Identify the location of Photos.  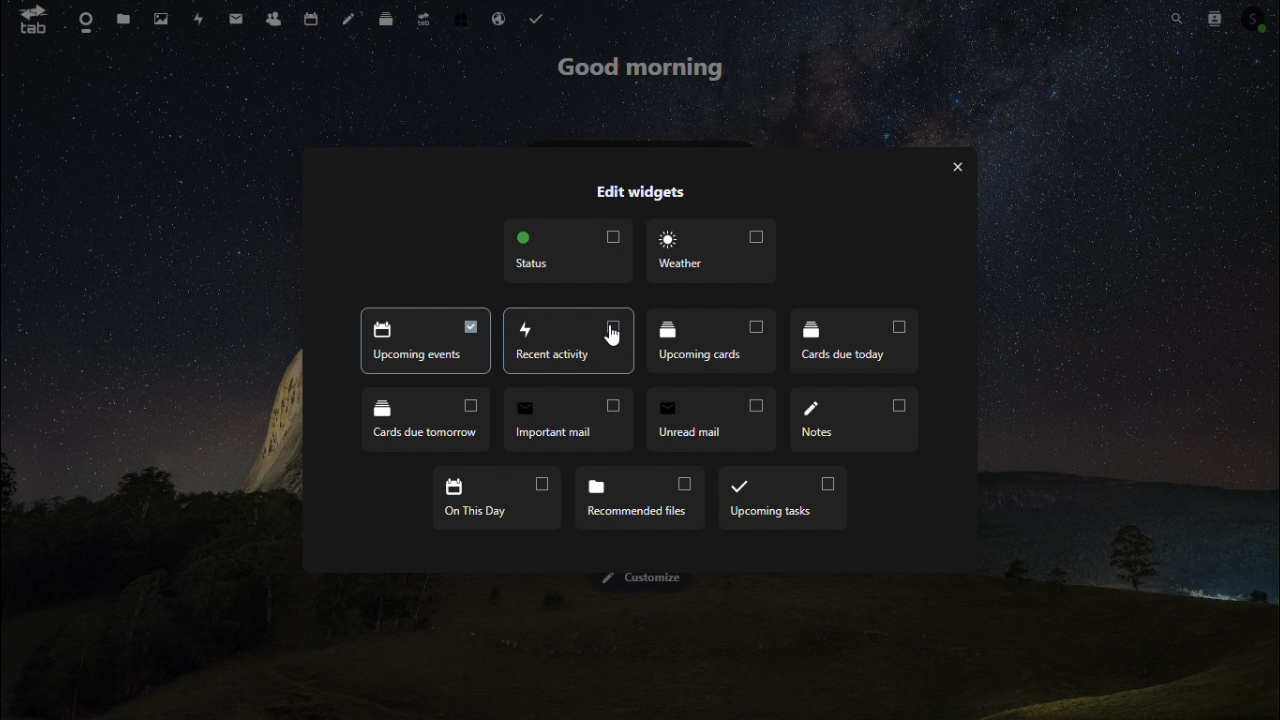
(159, 18).